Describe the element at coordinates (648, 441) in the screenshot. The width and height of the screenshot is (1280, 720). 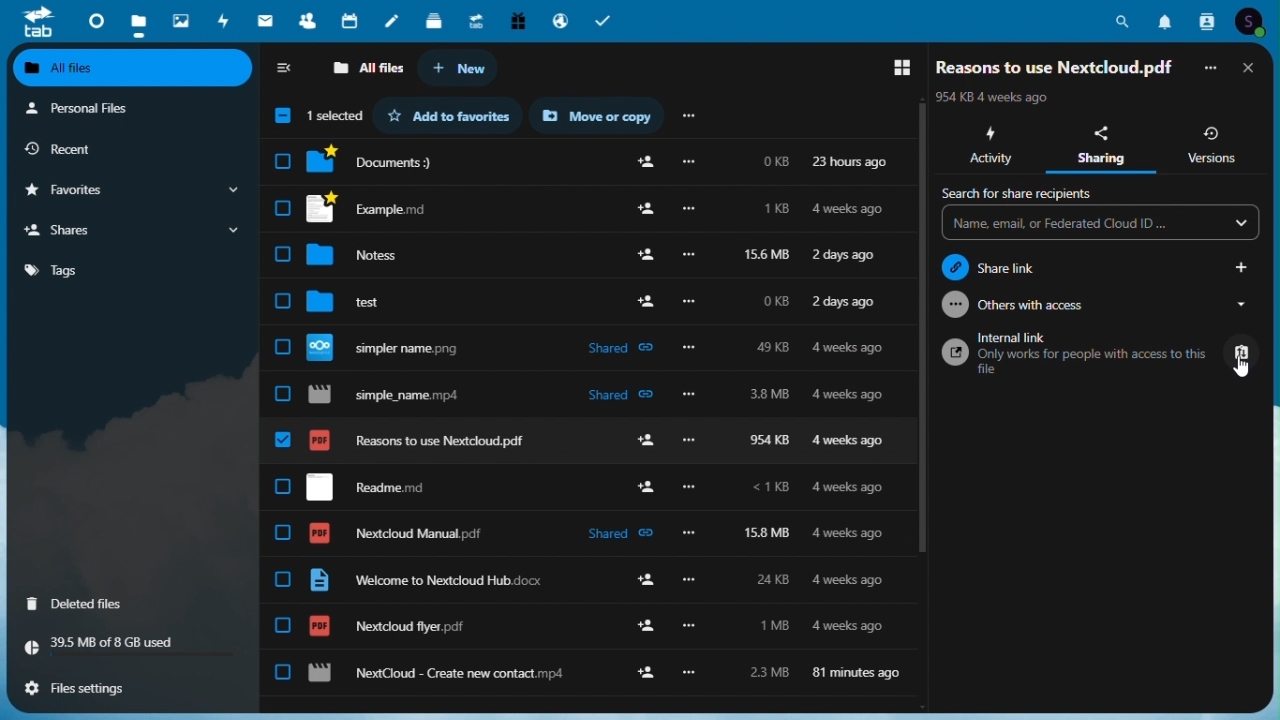
I see ` add user` at that location.